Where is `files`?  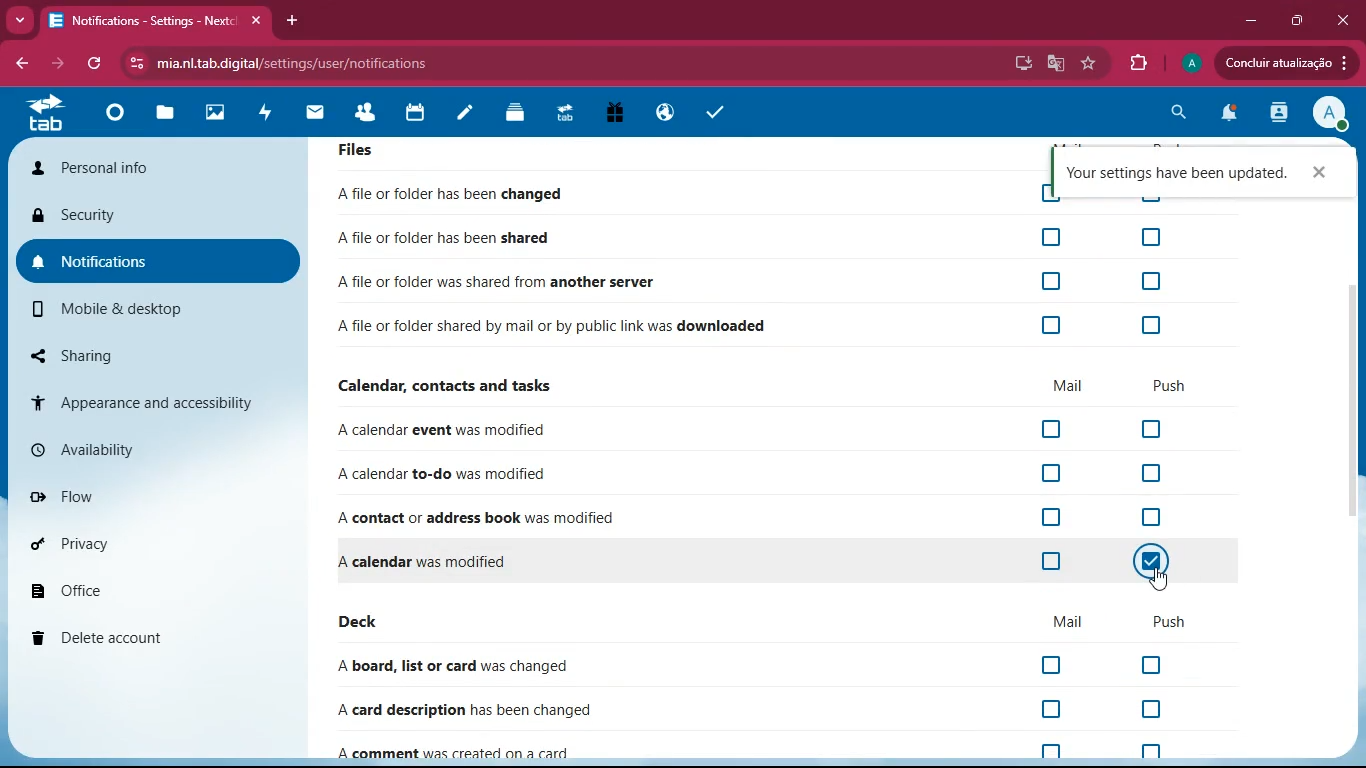
files is located at coordinates (170, 114).